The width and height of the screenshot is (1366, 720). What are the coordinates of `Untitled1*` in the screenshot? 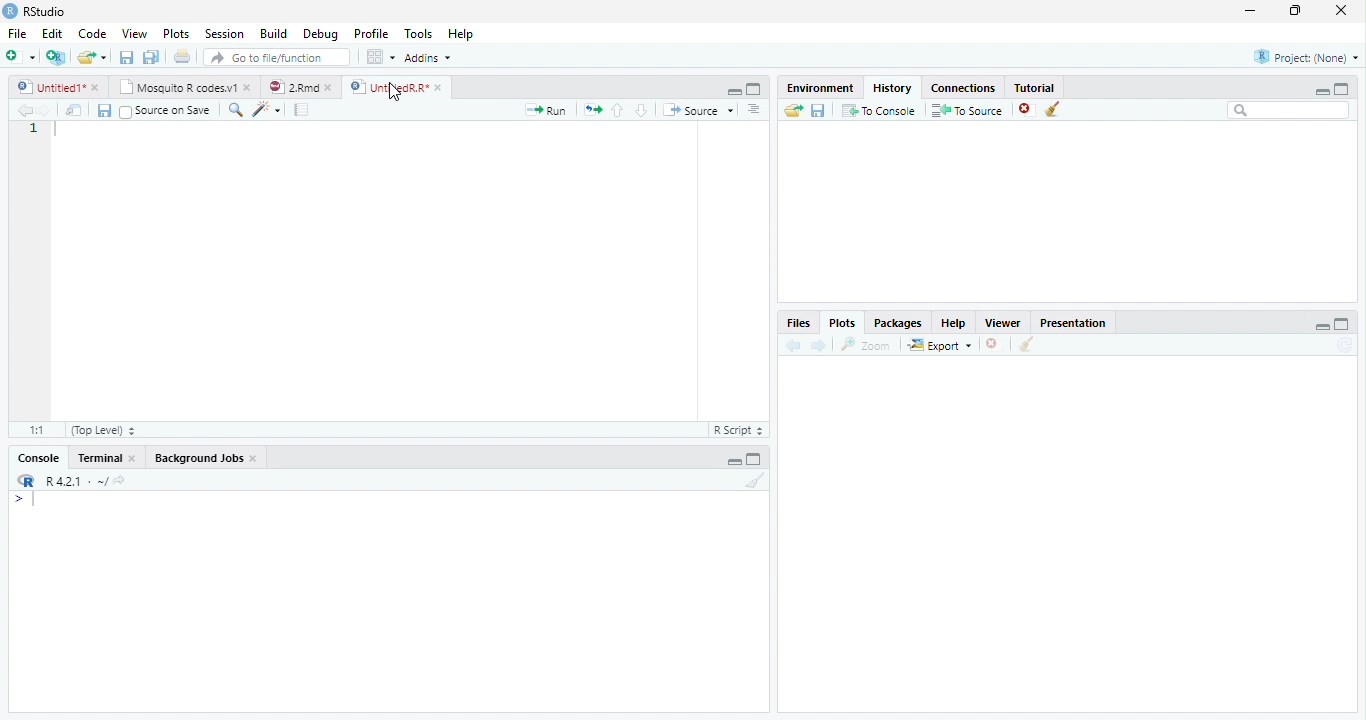 It's located at (48, 86).